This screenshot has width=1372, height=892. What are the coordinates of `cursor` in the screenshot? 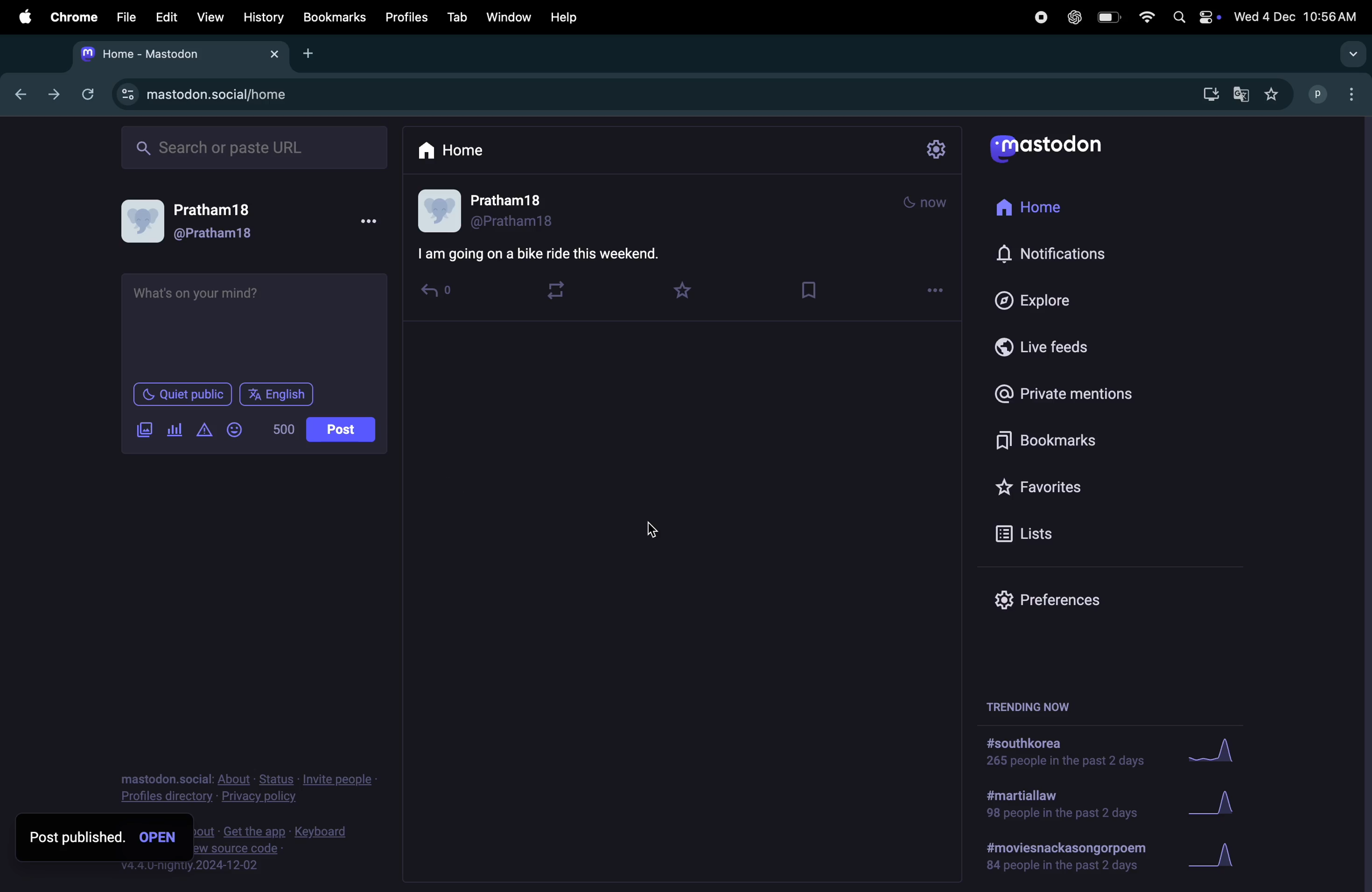 It's located at (643, 530).